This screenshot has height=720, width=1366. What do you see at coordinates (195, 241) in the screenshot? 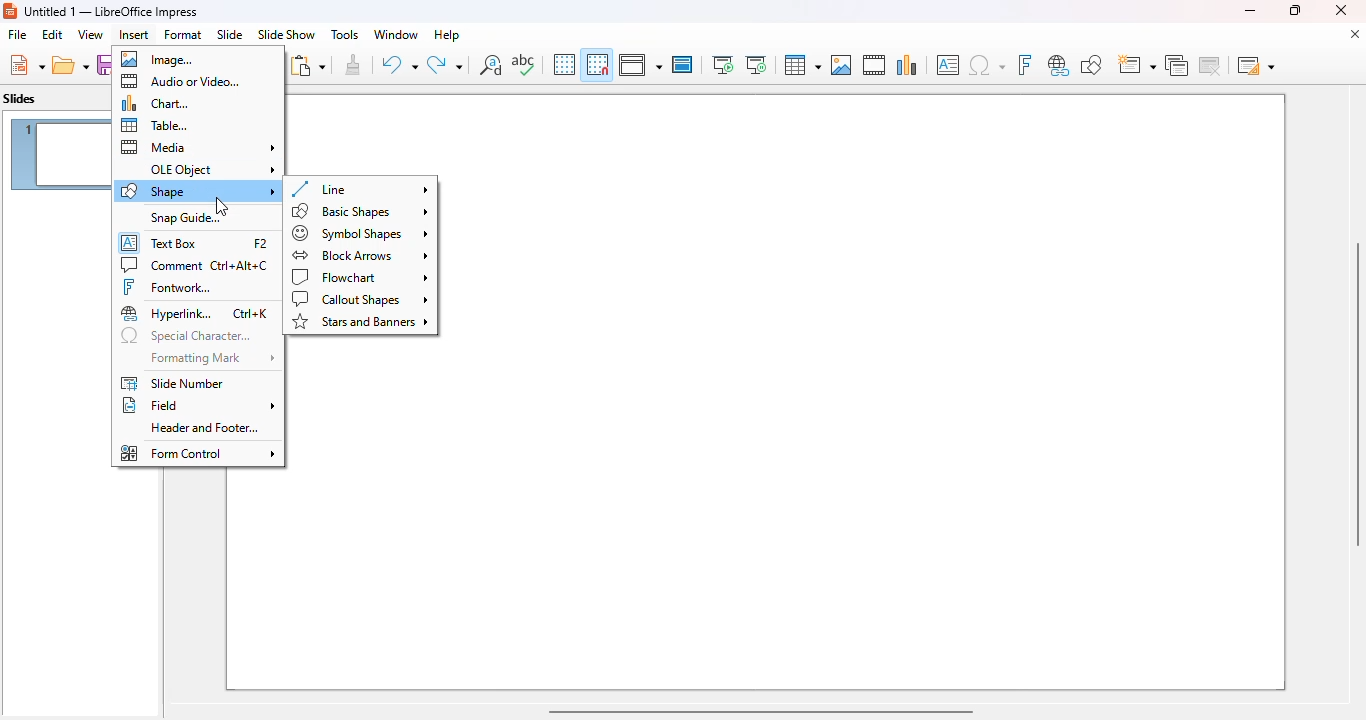
I see `text box` at bounding box center [195, 241].